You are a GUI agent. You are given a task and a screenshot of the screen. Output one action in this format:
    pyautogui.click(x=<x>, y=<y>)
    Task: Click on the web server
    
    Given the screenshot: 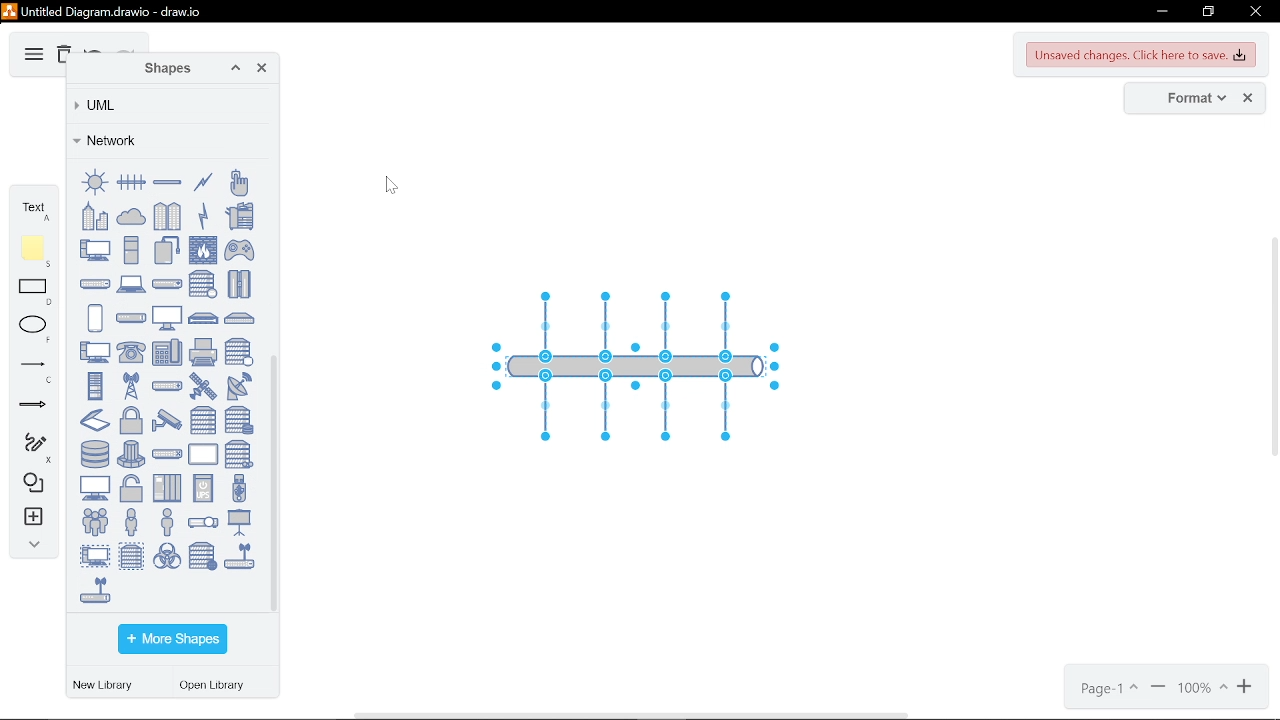 What is the action you would take?
    pyautogui.click(x=203, y=556)
    